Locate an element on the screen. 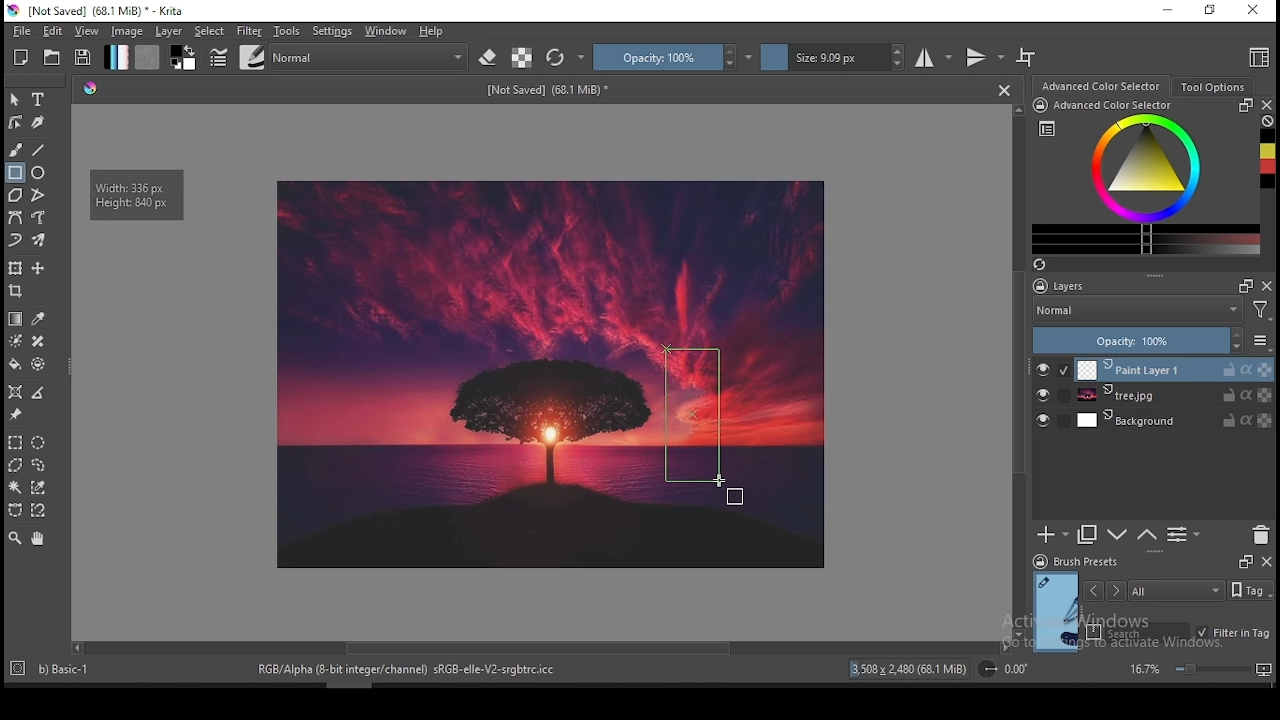 The width and height of the screenshot is (1280, 720). pattern fill is located at coordinates (148, 58).